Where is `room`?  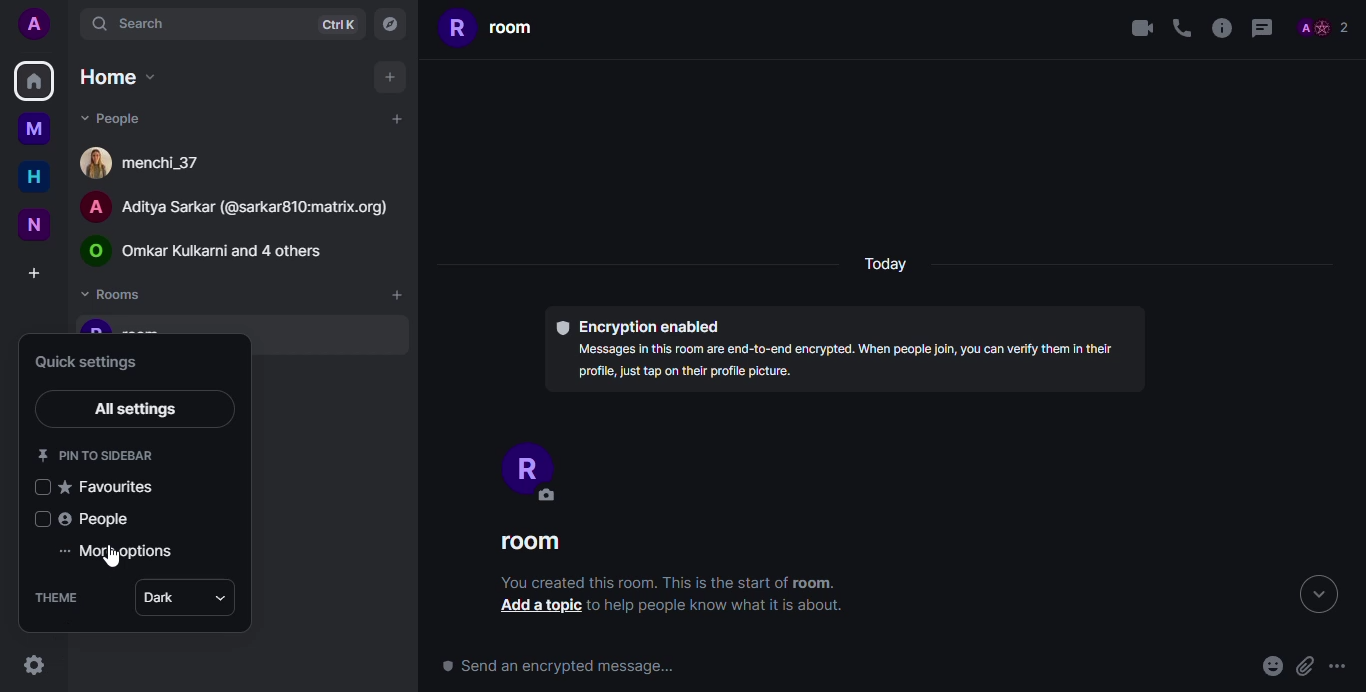 room is located at coordinates (489, 31).